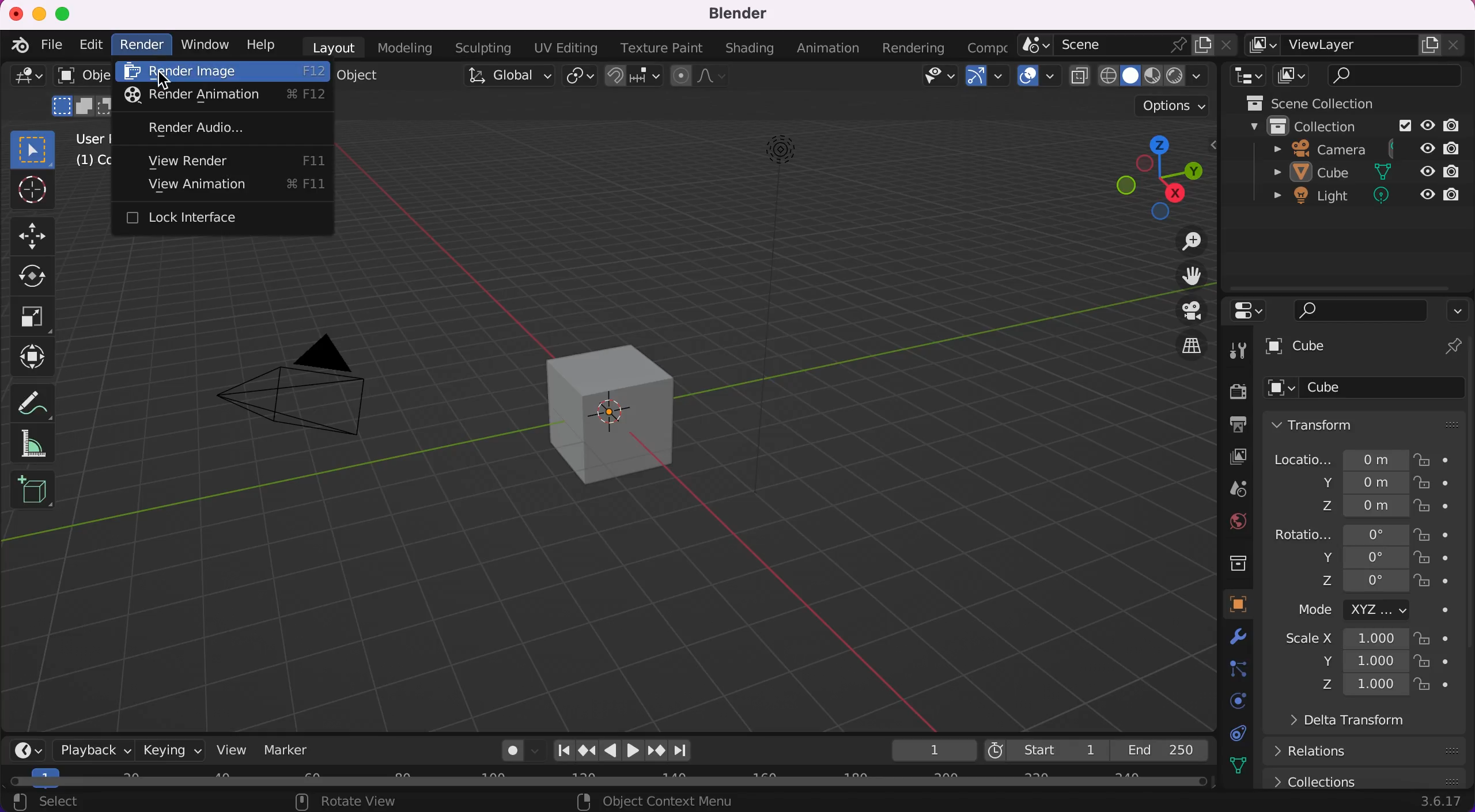  What do you see at coordinates (1319, 173) in the screenshot?
I see `sube` at bounding box center [1319, 173].